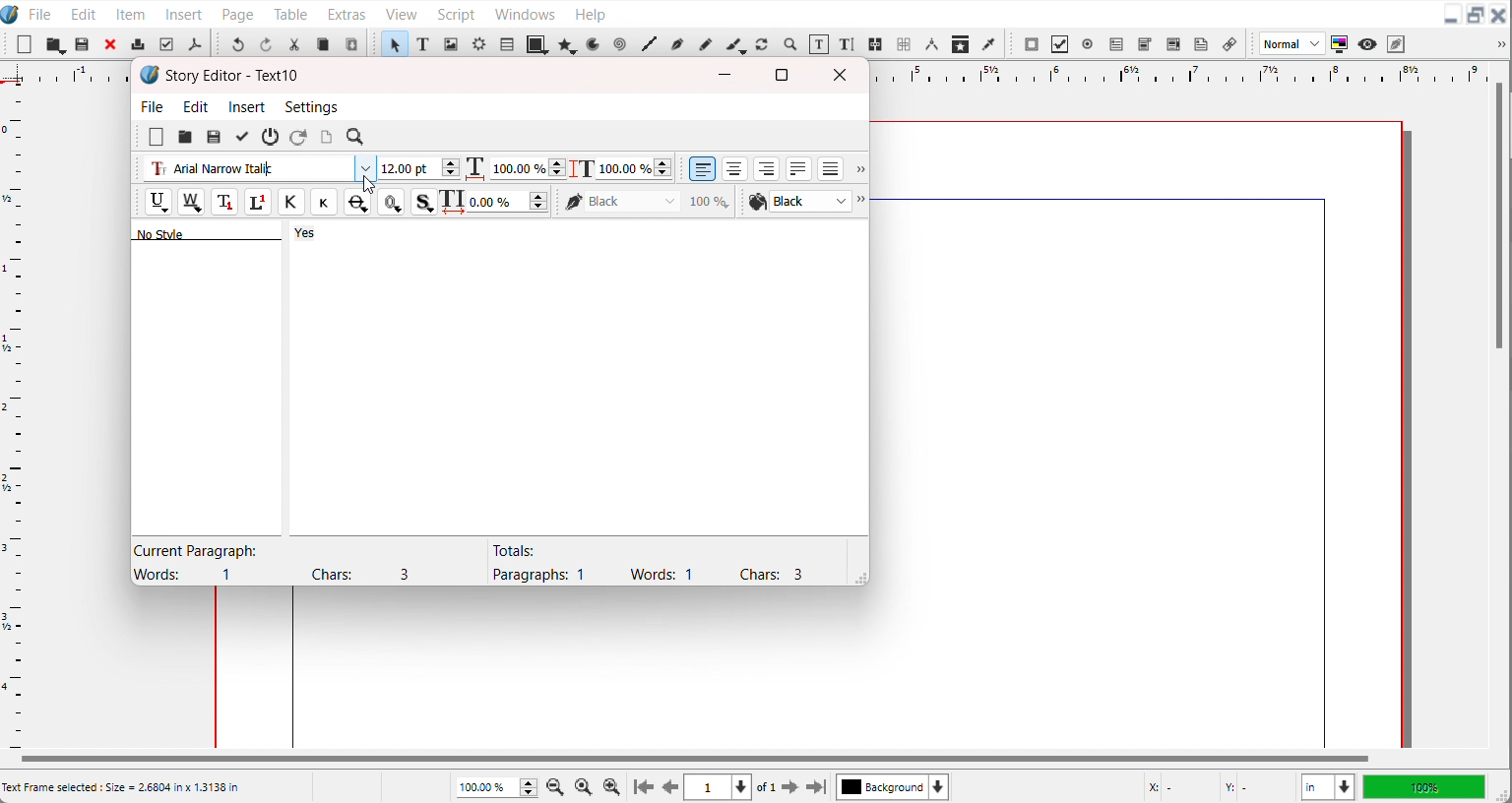 The height and width of the screenshot is (803, 1512). What do you see at coordinates (259, 203) in the screenshot?
I see `Superscript` at bounding box center [259, 203].